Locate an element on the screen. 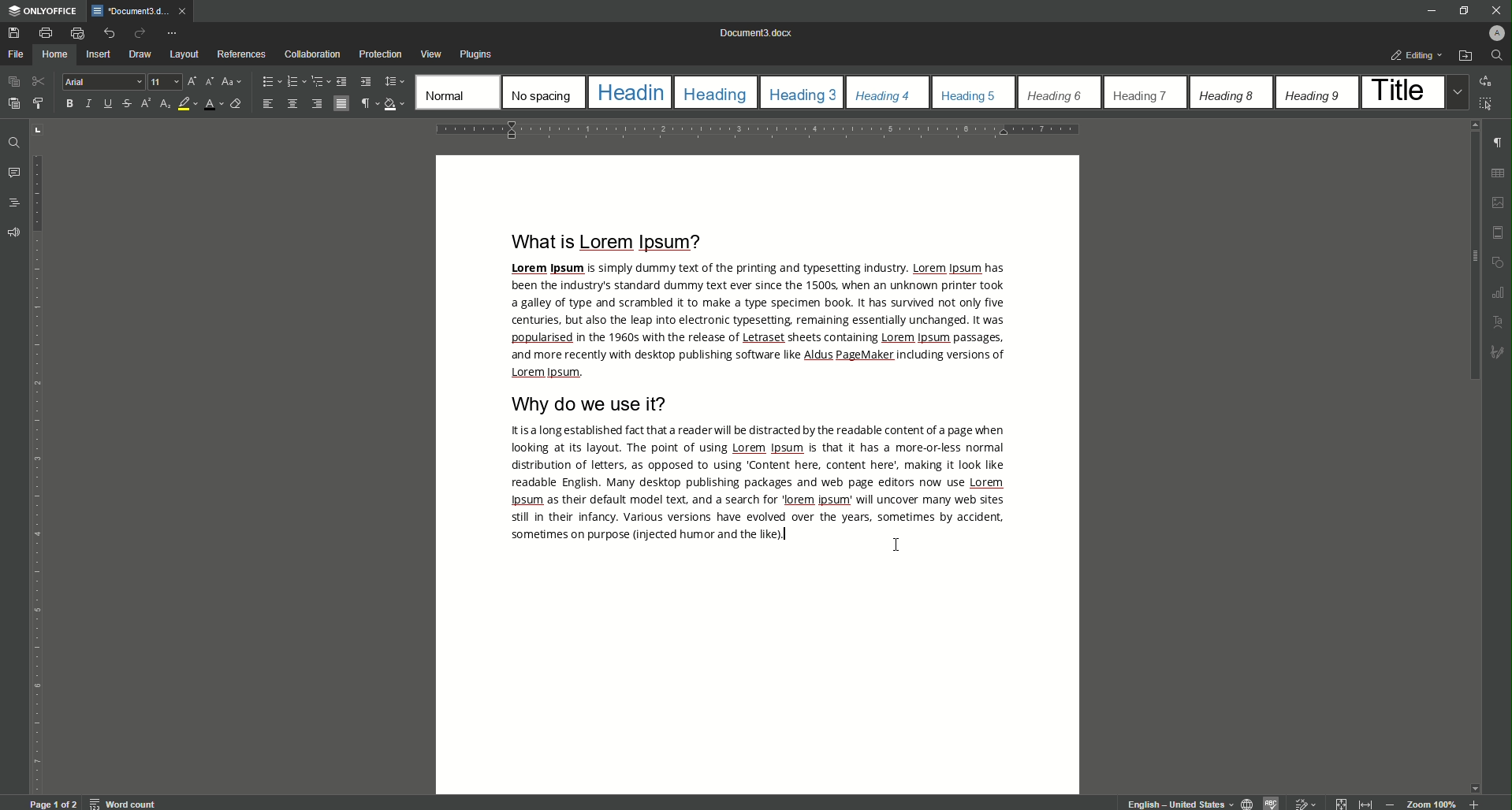 This screenshot has width=1512, height=810. B is located at coordinates (67, 104).